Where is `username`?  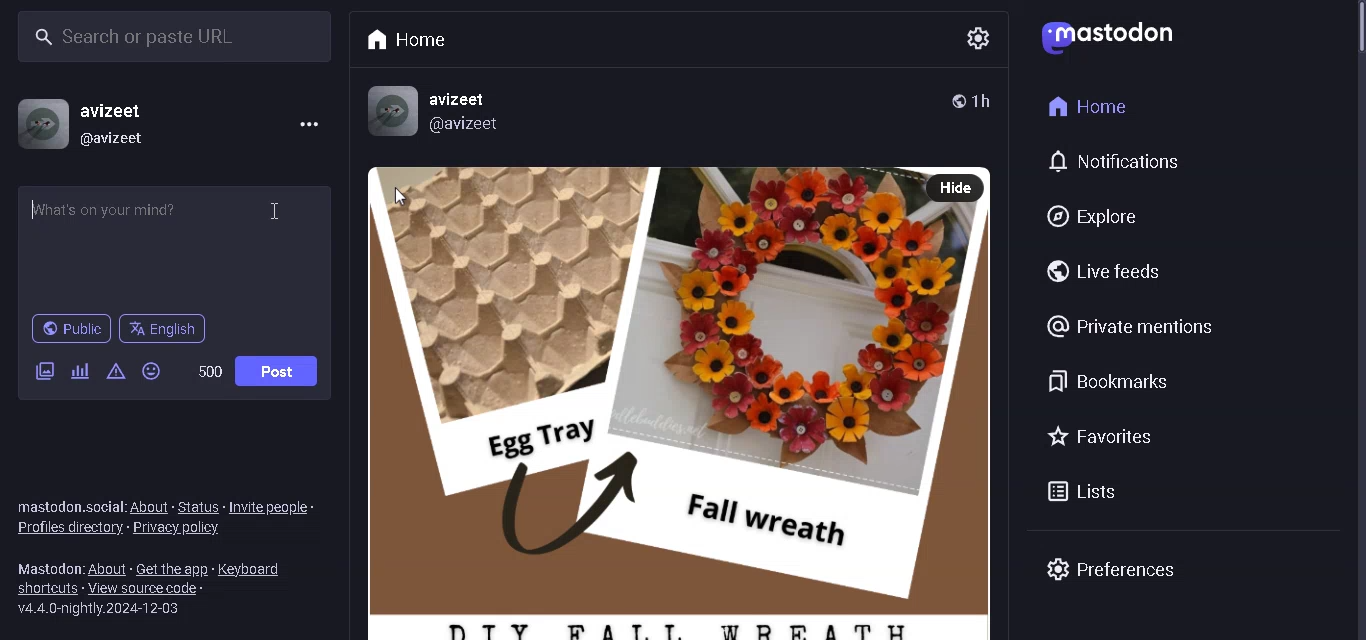
username is located at coordinates (482, 96).